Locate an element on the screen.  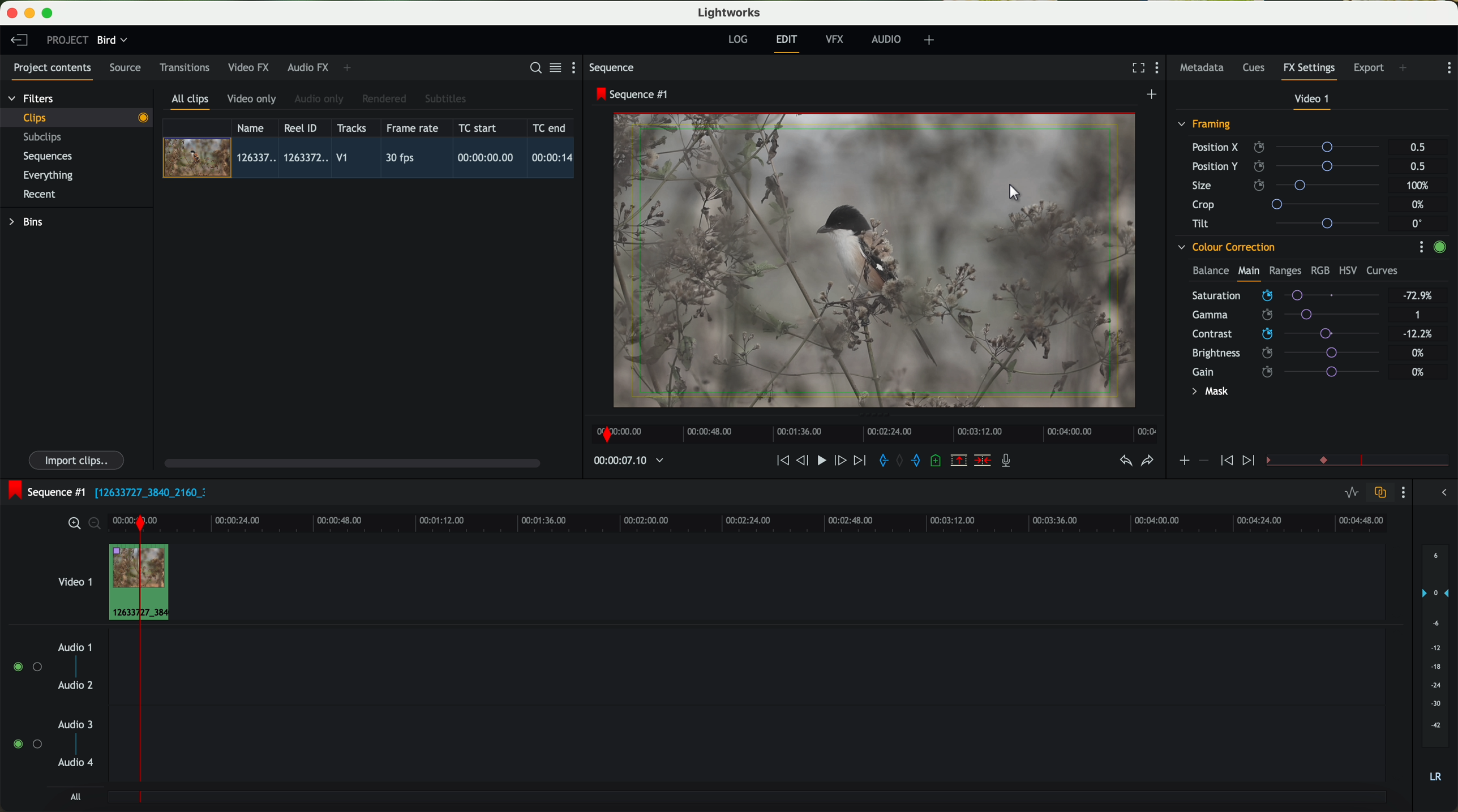
timeline is located at coordinates (623, 461).